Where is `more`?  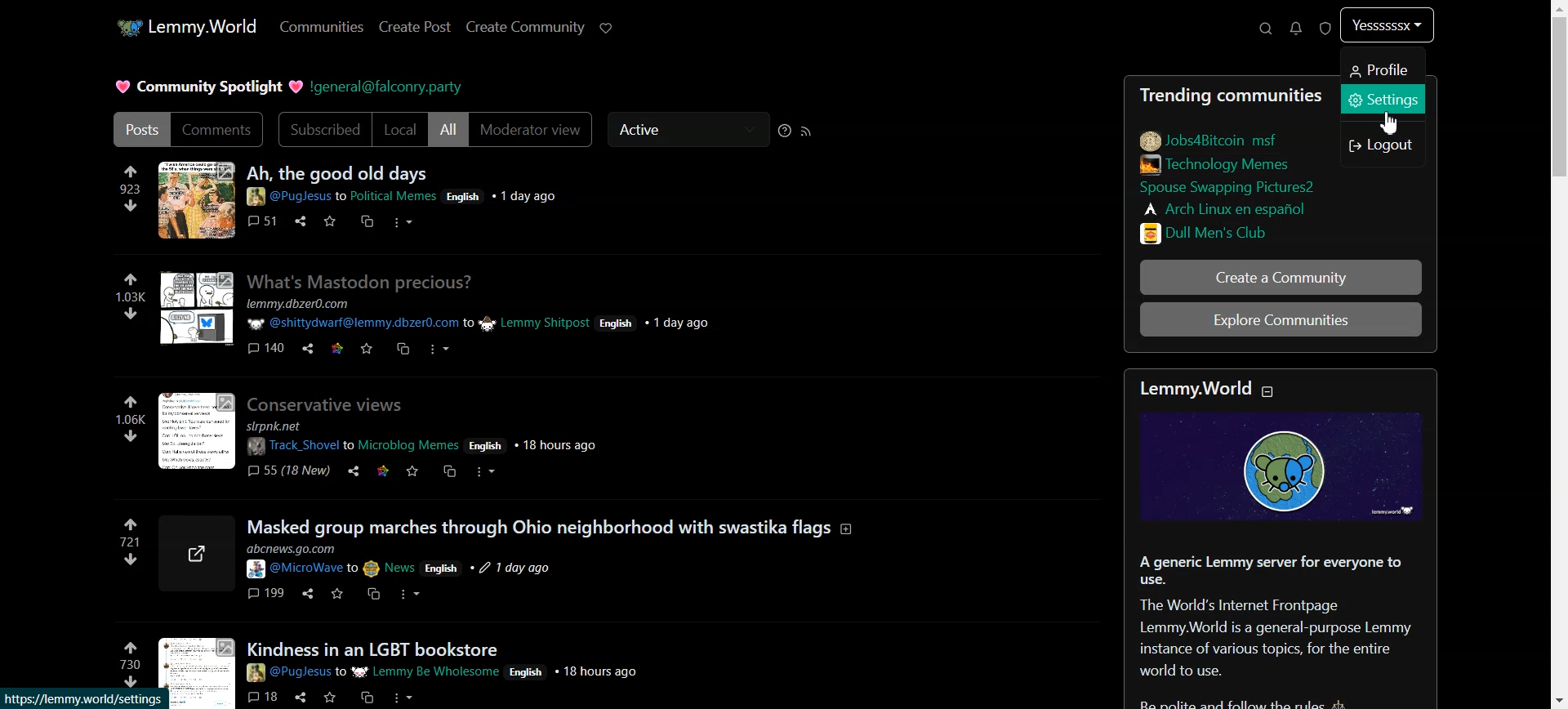
more is located at coordinates (401, 221).